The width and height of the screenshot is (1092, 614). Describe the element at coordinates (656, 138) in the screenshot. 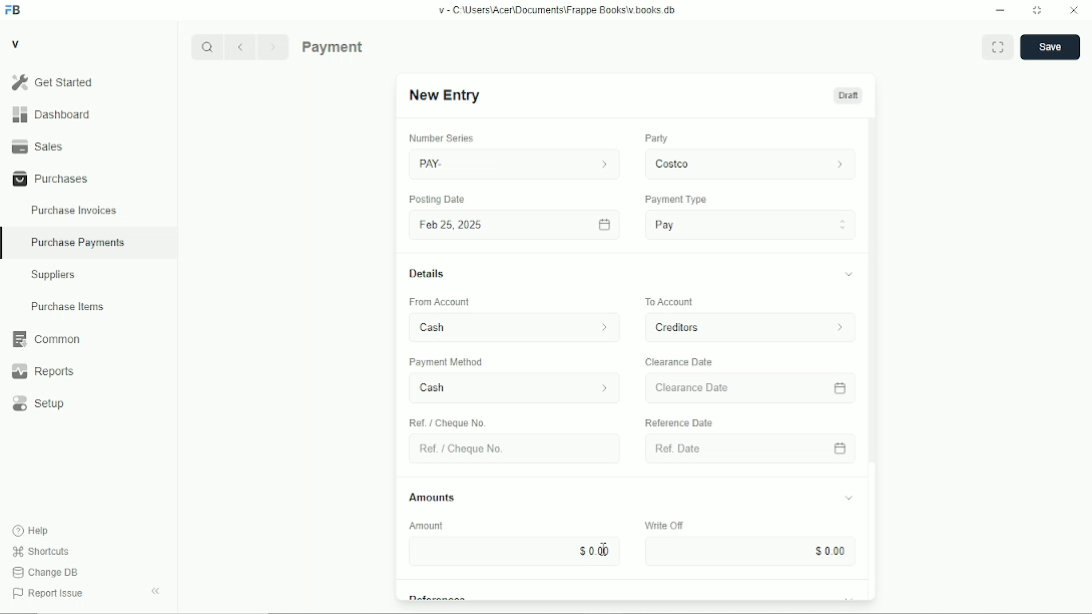

I see `Party` at that location.